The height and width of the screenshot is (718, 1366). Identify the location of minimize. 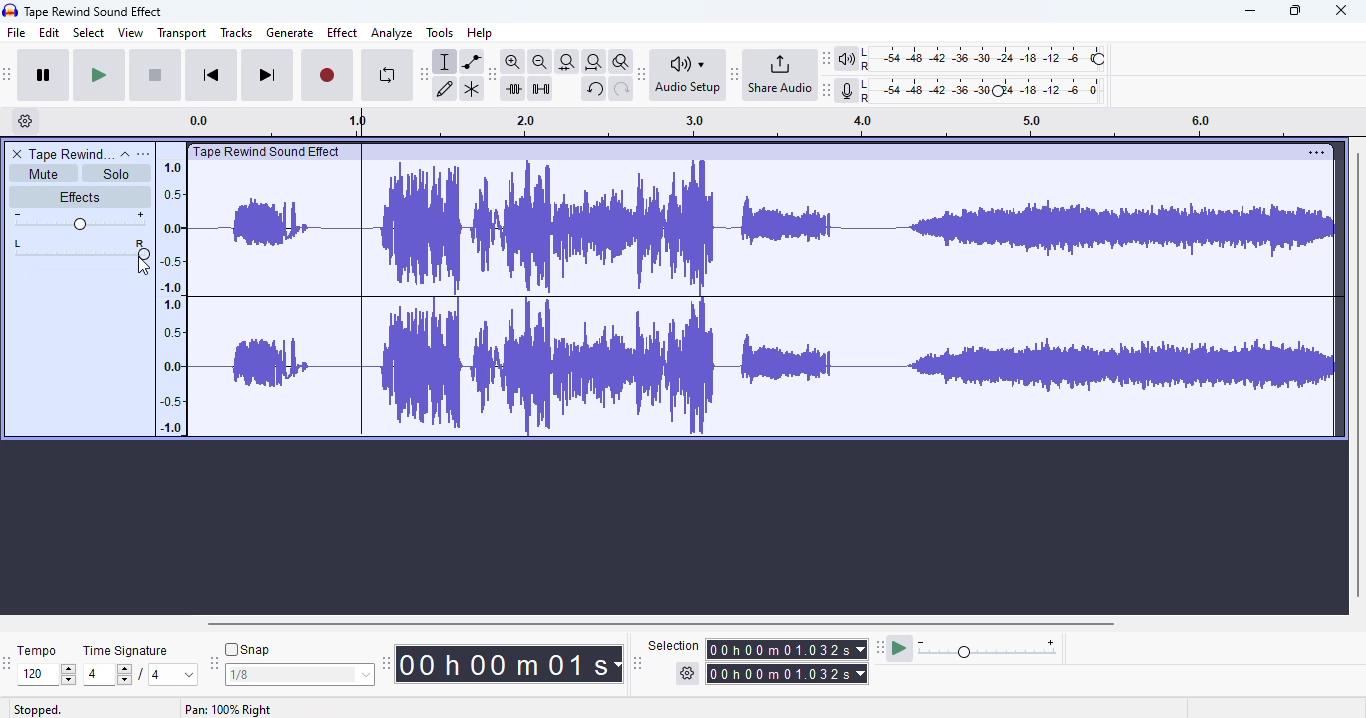
(1250, 10).